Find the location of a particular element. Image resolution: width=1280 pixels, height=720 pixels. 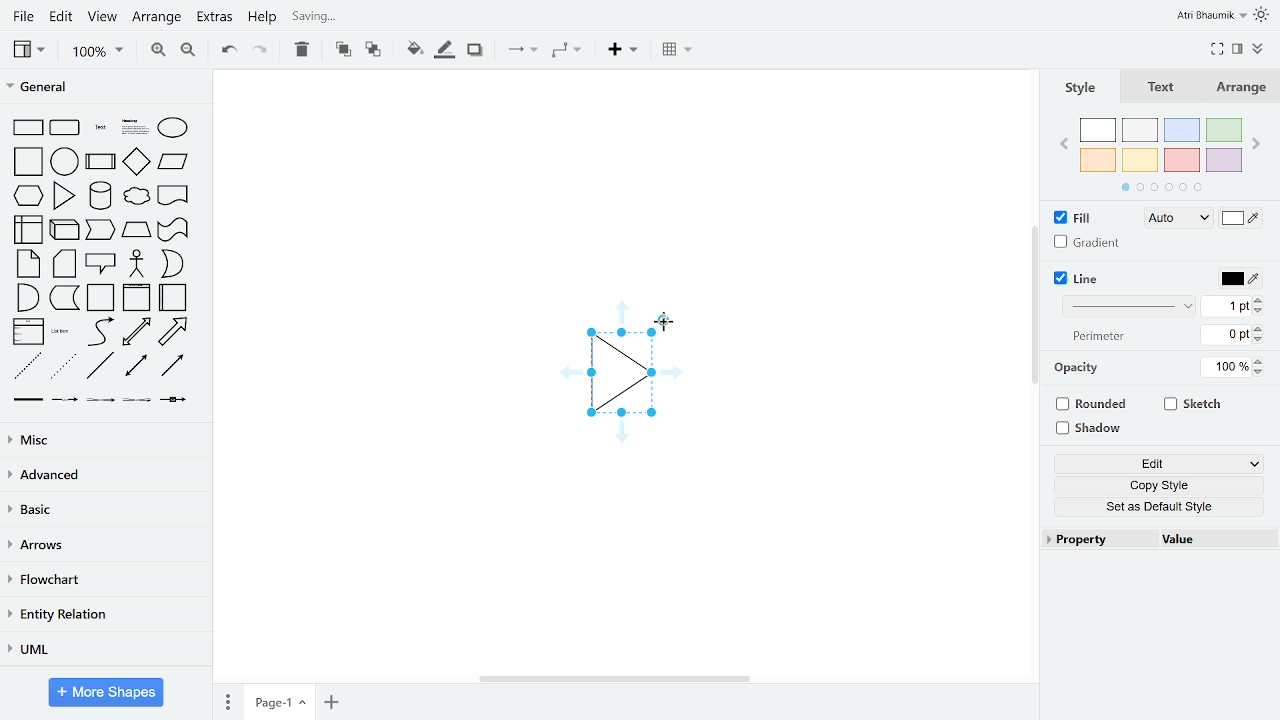

general is located at coordinates (101, 85).